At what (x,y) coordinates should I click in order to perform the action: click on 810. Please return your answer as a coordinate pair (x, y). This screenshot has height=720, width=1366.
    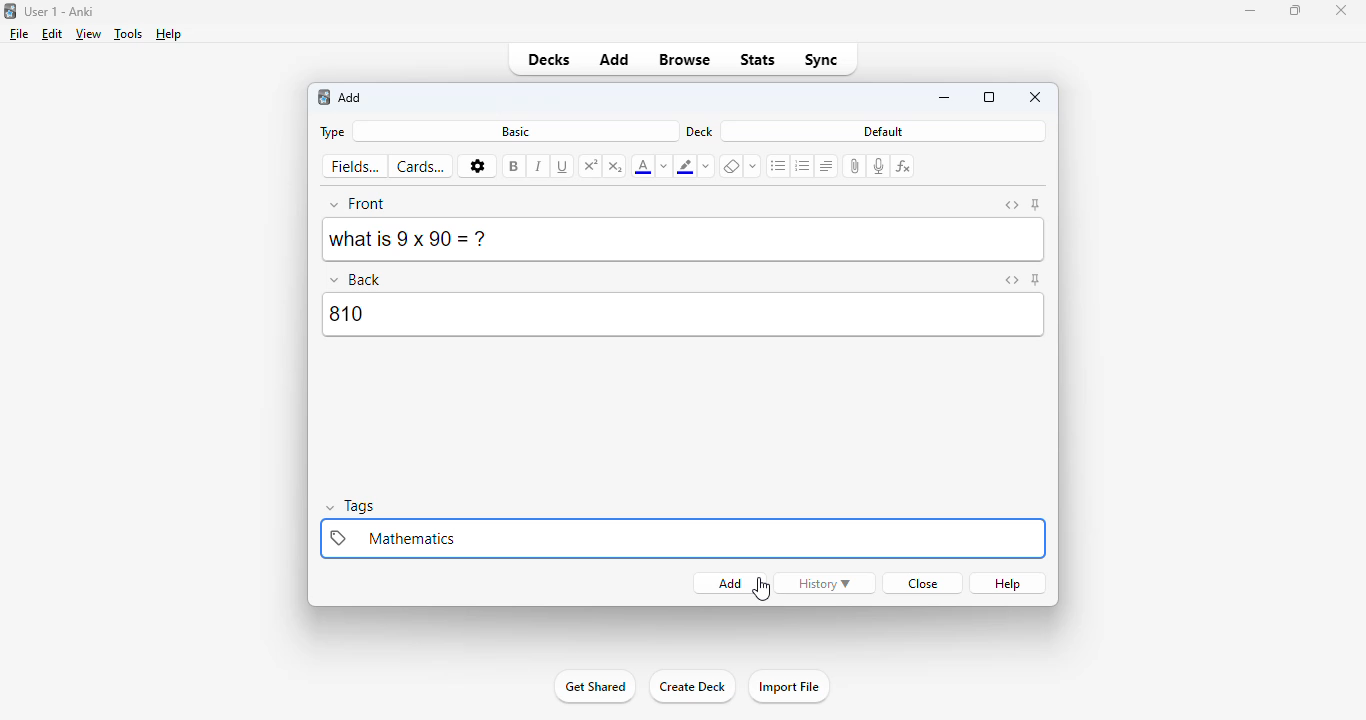
    Looking at the image, I should click on (685, 315).